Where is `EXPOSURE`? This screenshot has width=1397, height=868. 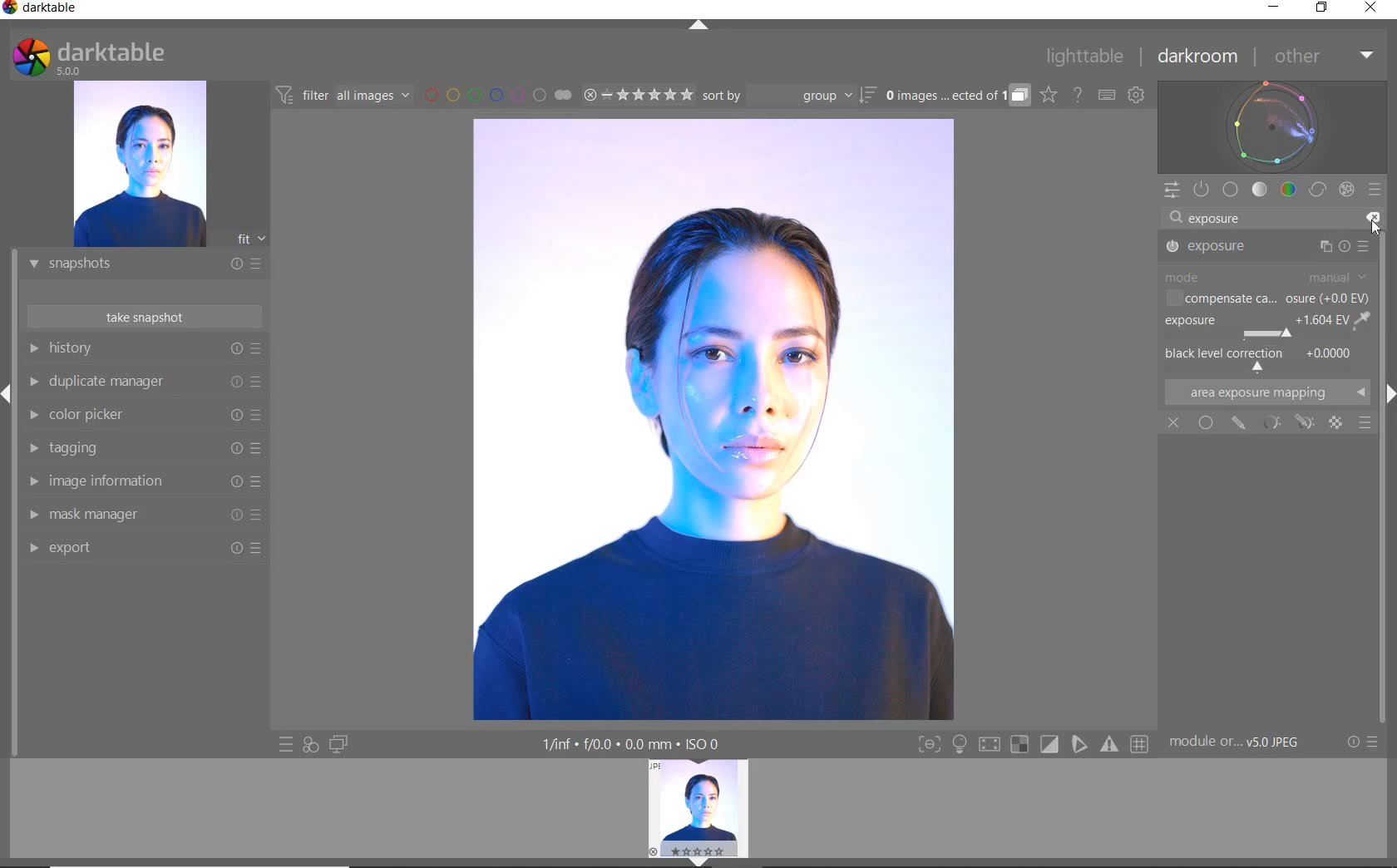
EXPOSURE is located at coordinates (1270, 247).